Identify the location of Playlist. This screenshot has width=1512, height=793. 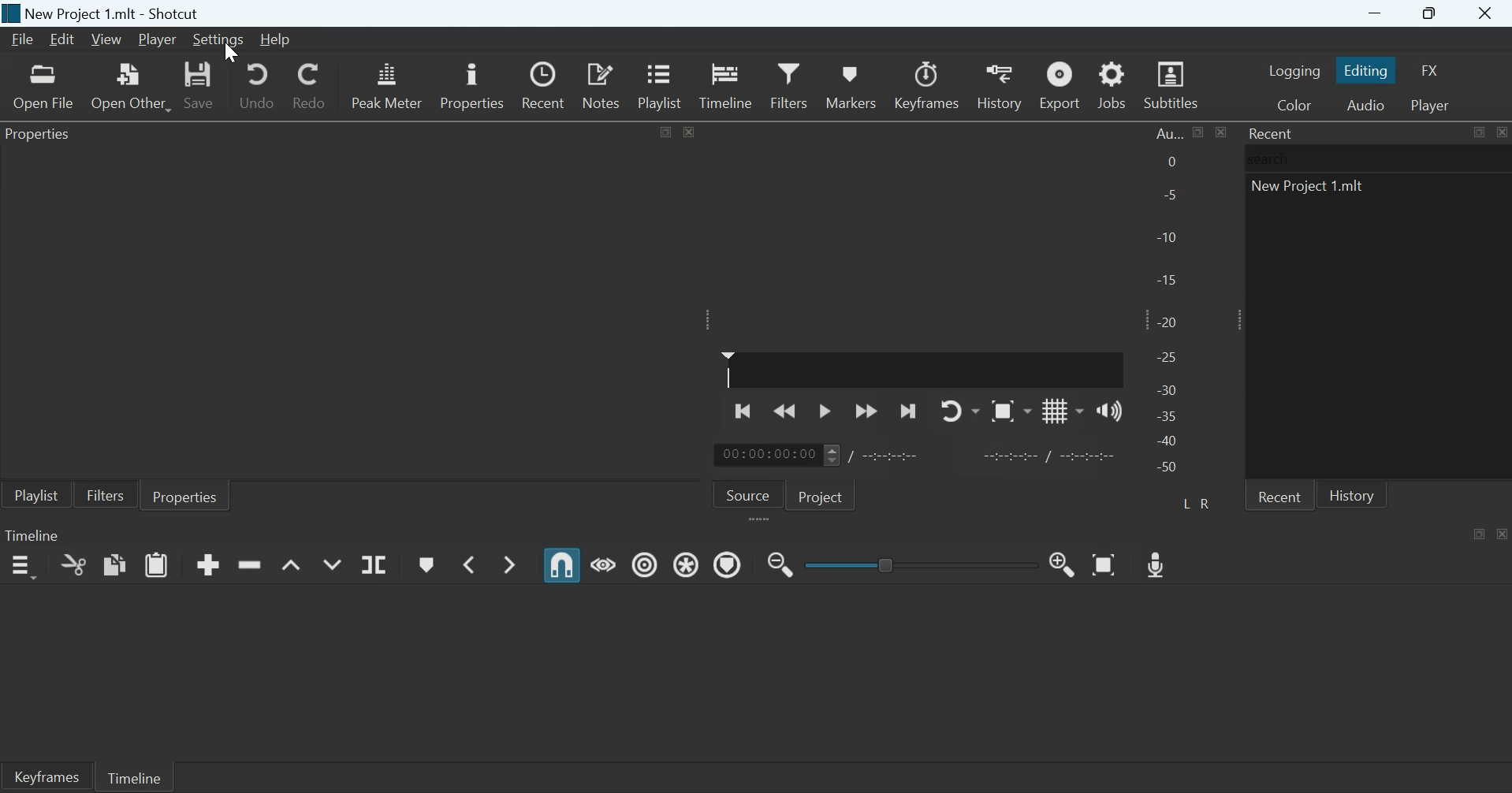
(663, 84).